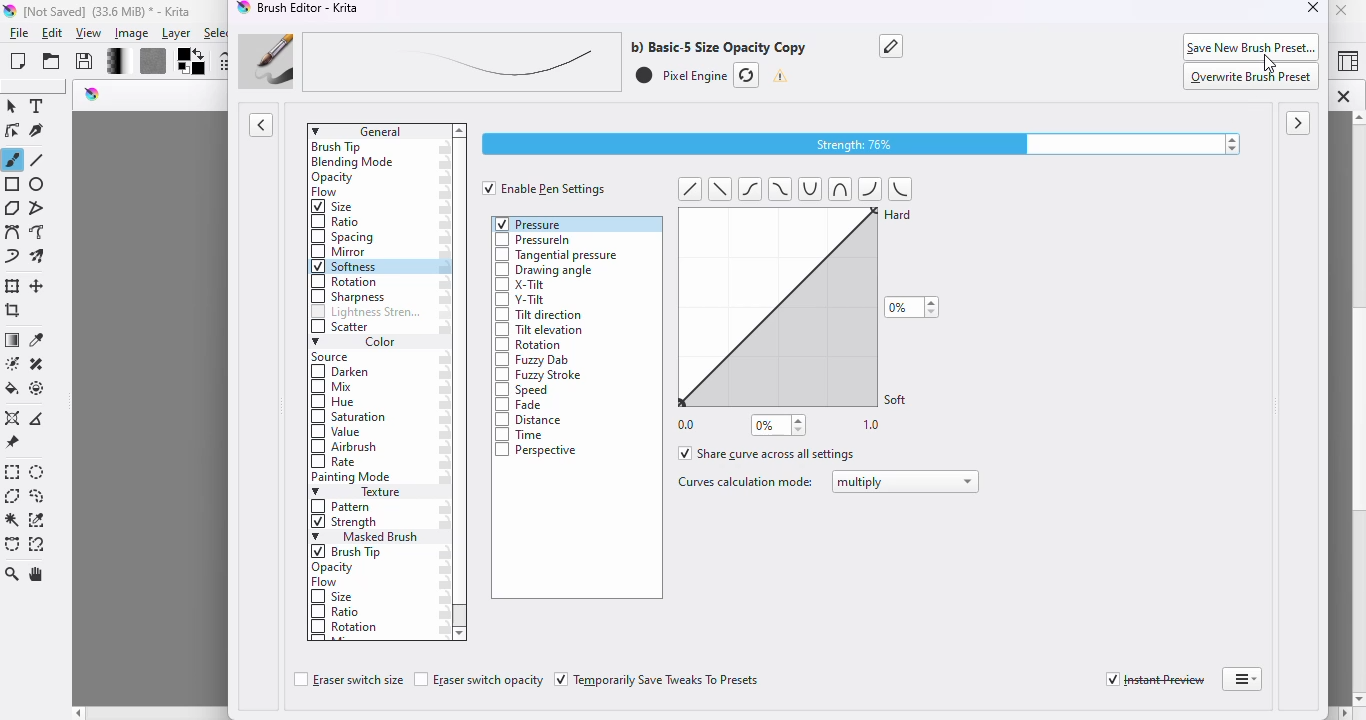 Image resolution: width=1366 pixels, height=720 pixels. What do you see at coordinates (13, 159) in the screenshot?
I see `freehand brush tool` at bounding box center [13, 159].